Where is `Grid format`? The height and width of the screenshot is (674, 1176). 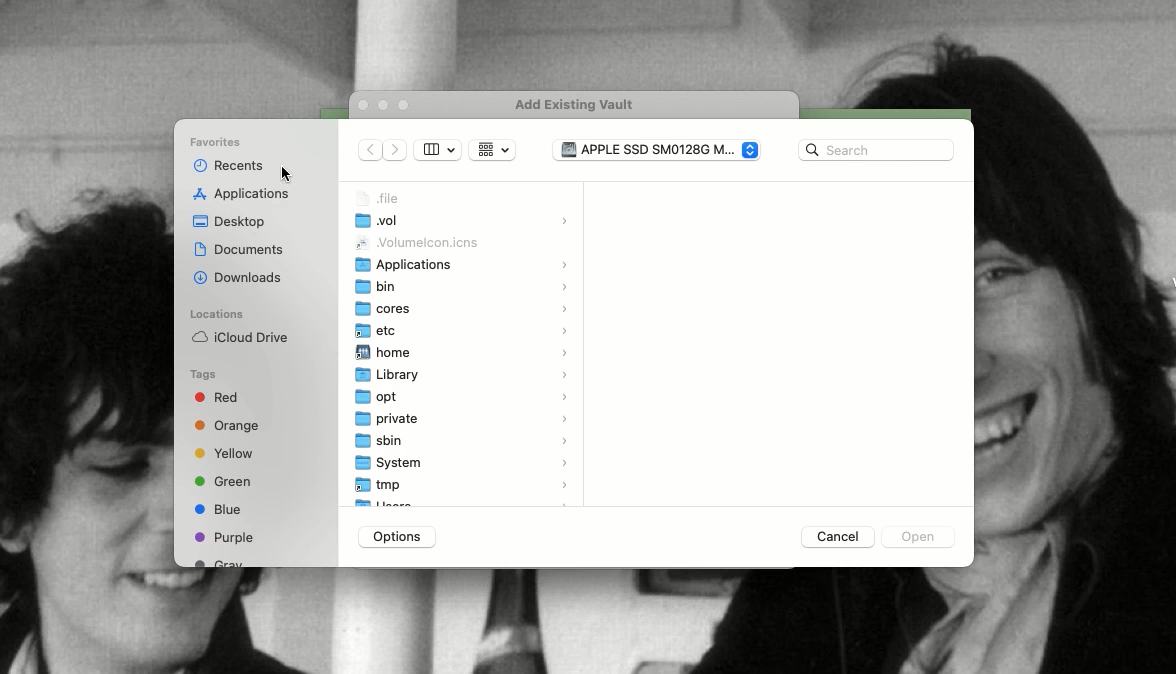
Grid format is located at coordinates (492, 150).